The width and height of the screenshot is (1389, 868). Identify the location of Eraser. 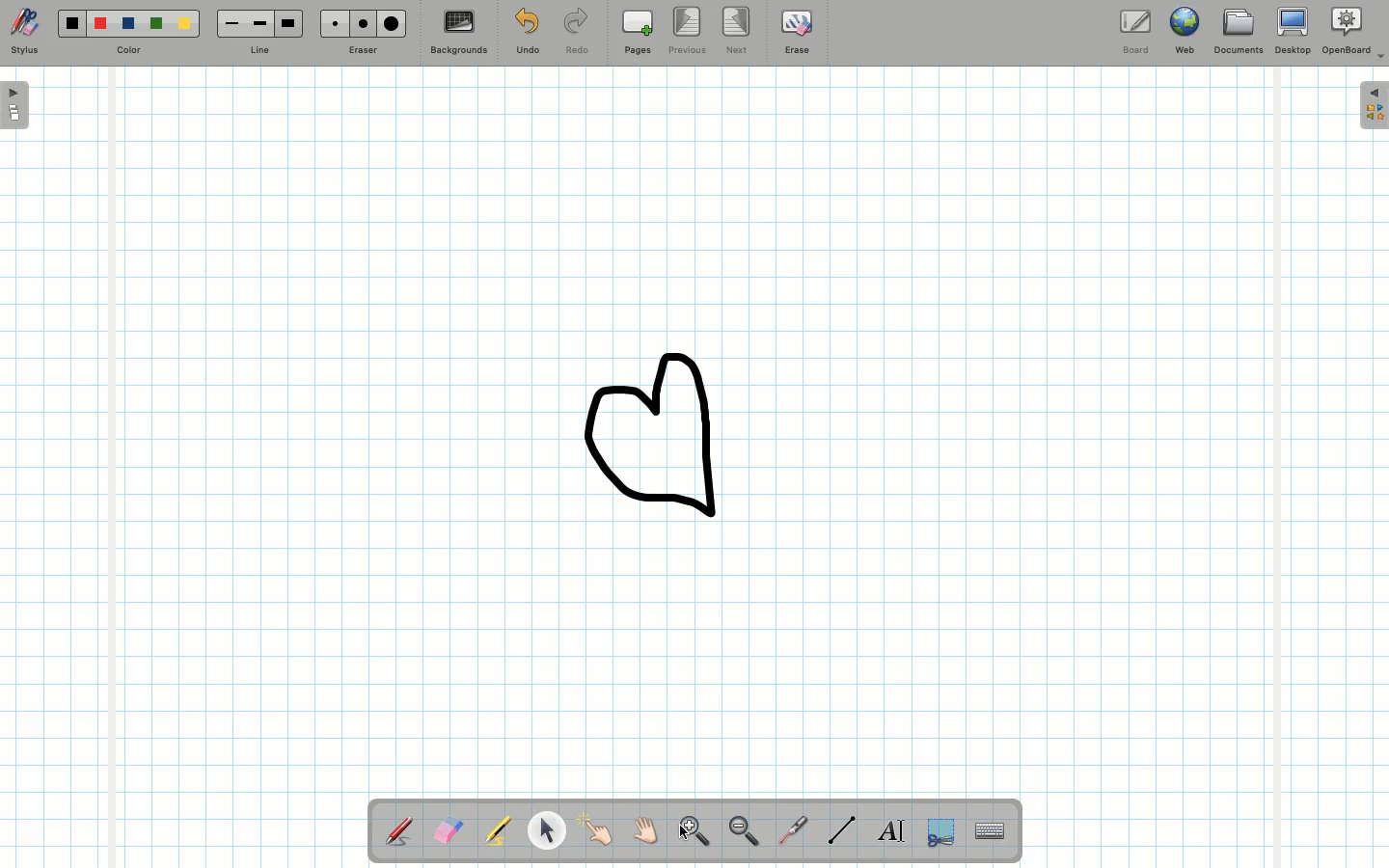
(364, 31).